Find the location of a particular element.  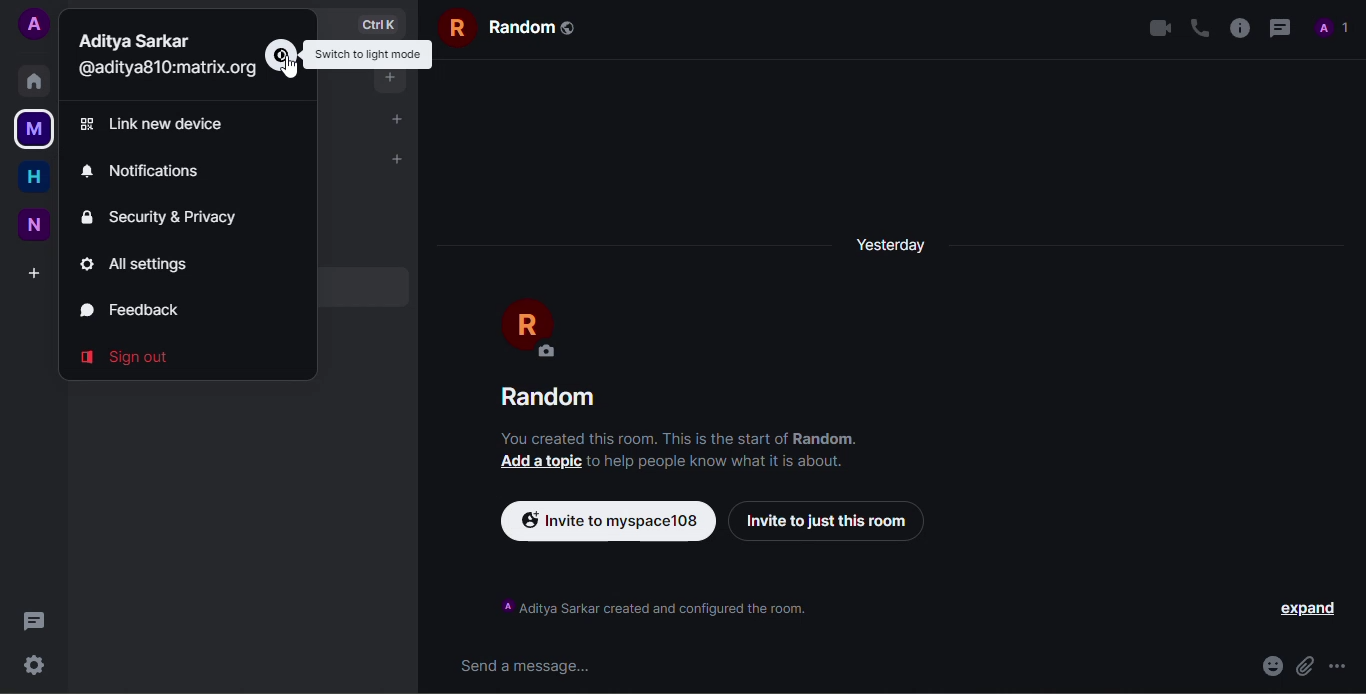

switch to light mode is located at coordinates (368, 53).